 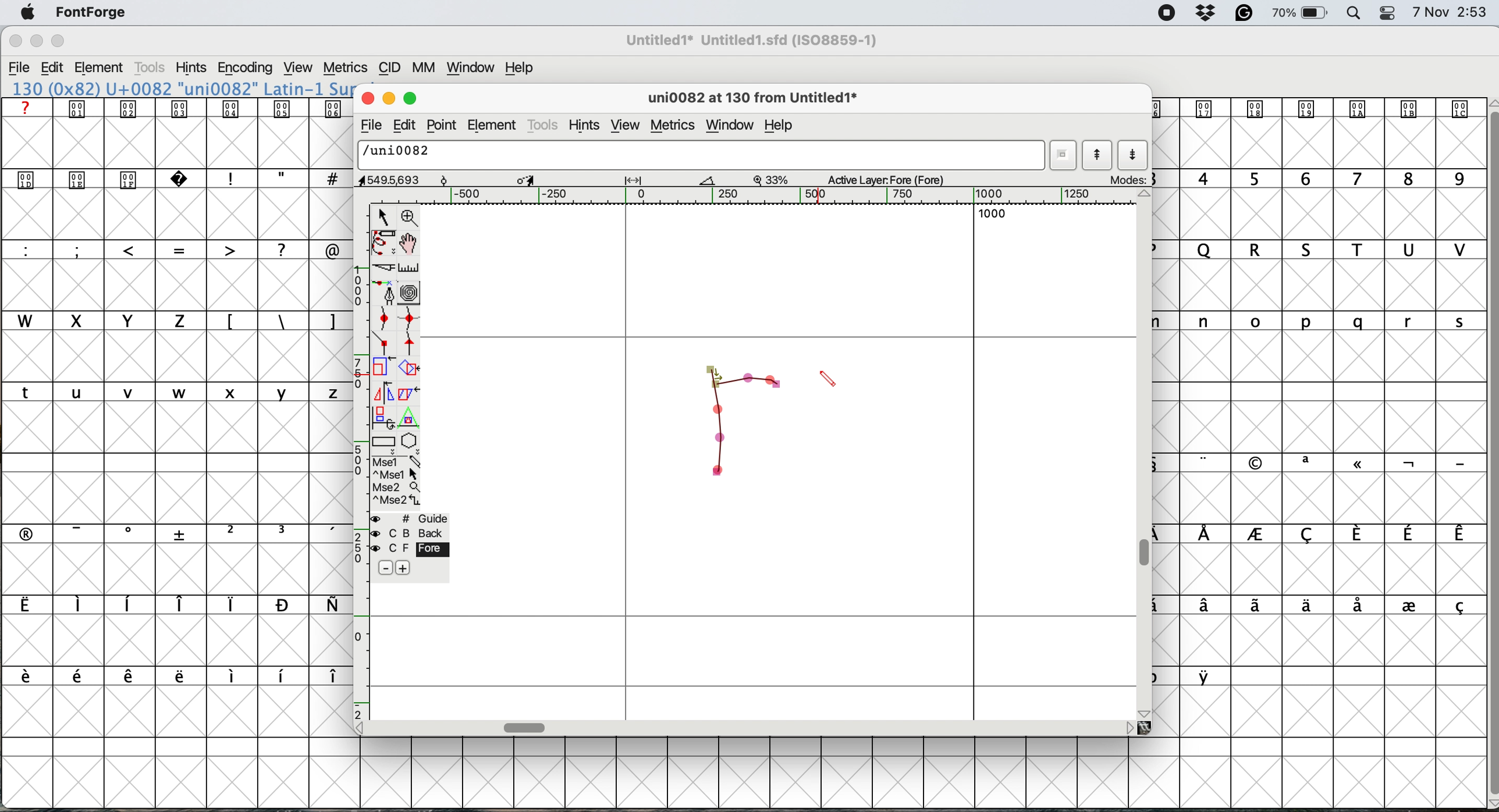 I want to click on special characters, so click(x=171, y=606).